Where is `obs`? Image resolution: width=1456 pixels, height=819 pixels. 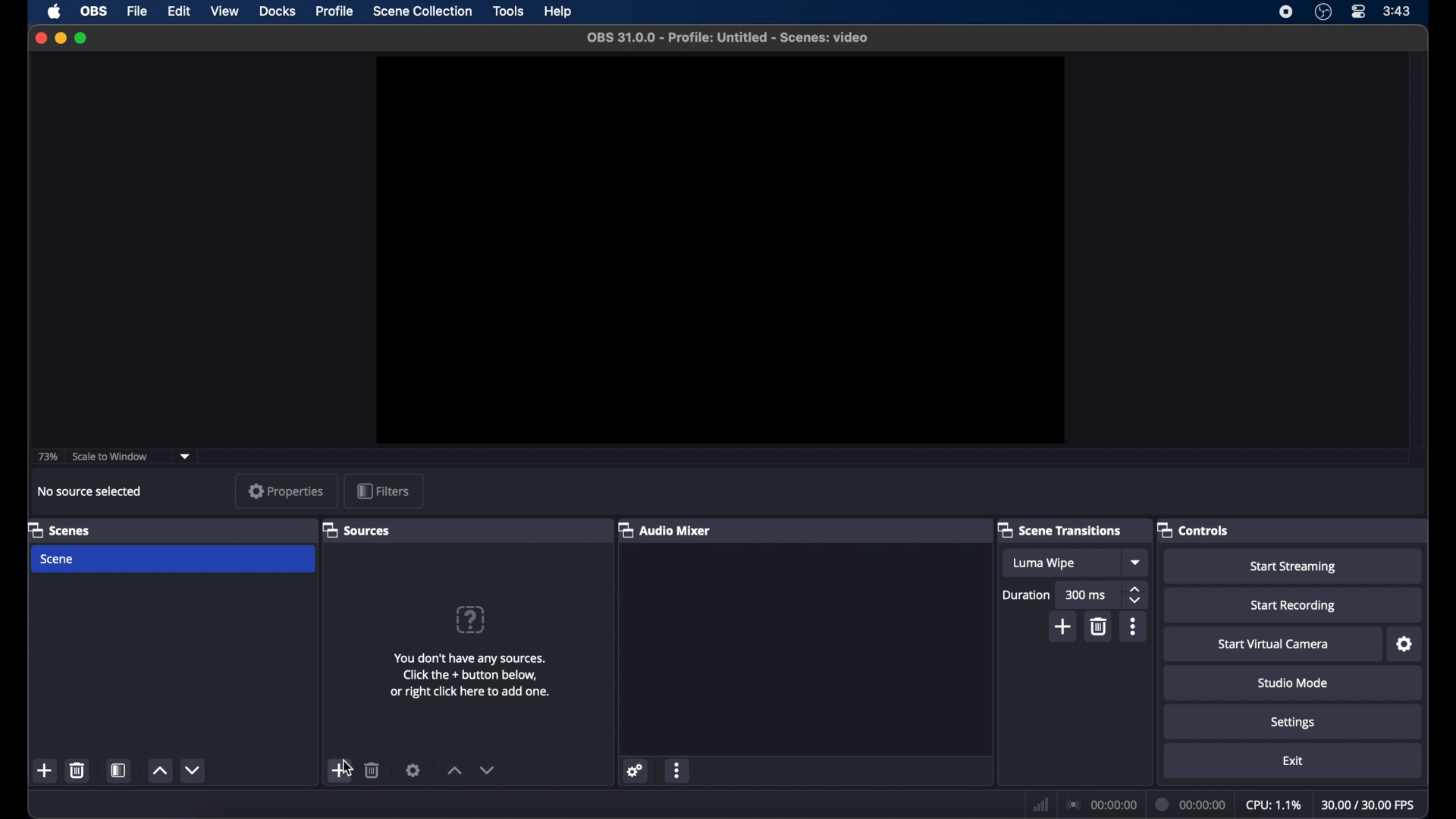 obs is located at coordinates (94, 11).